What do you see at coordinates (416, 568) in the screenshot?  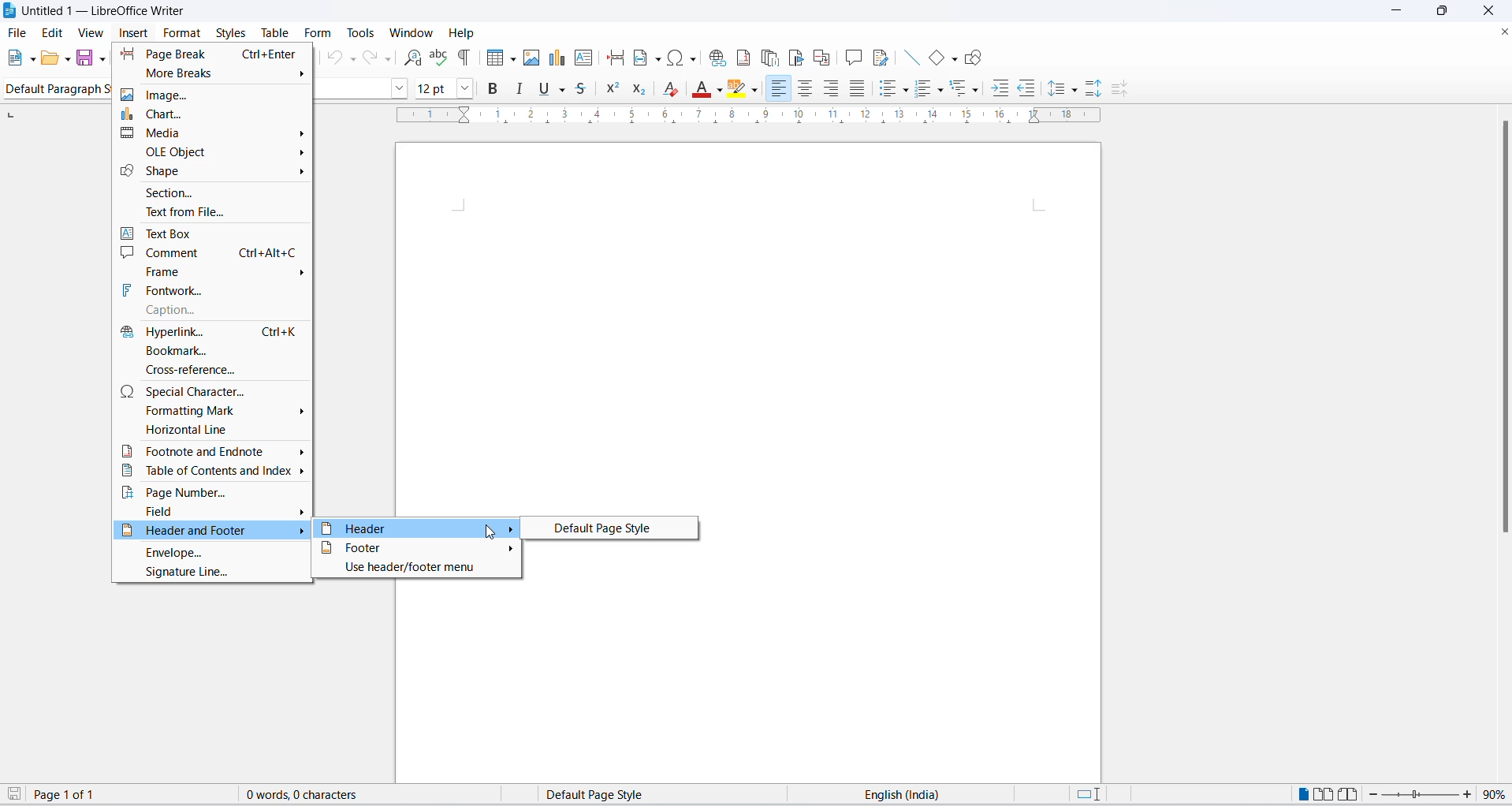 I see `use header/footer menu` at bounding box center [416, 568].